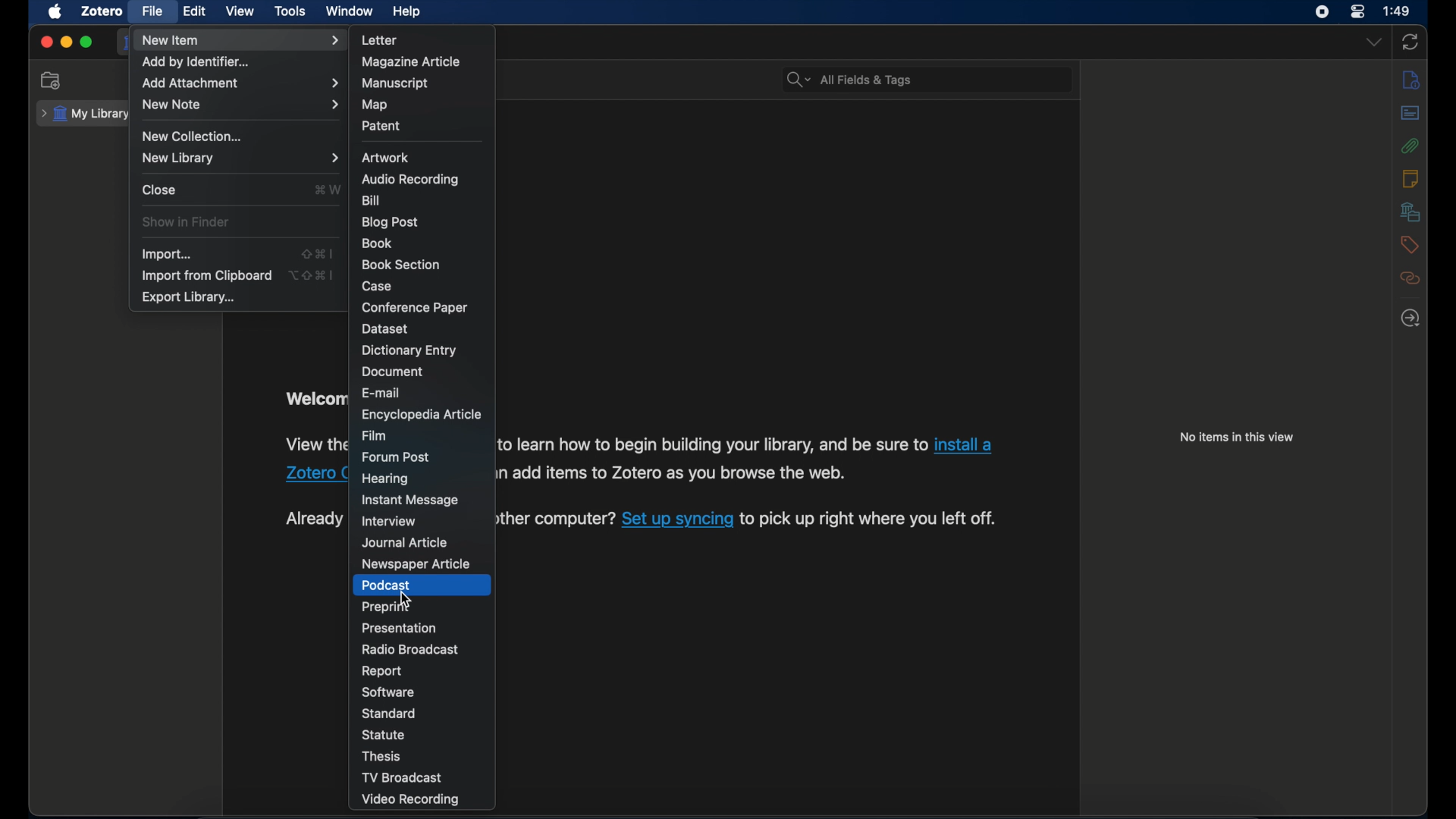 This screenshot has width=1456, height=819. I want to click on add attachment, so click(240, 83).